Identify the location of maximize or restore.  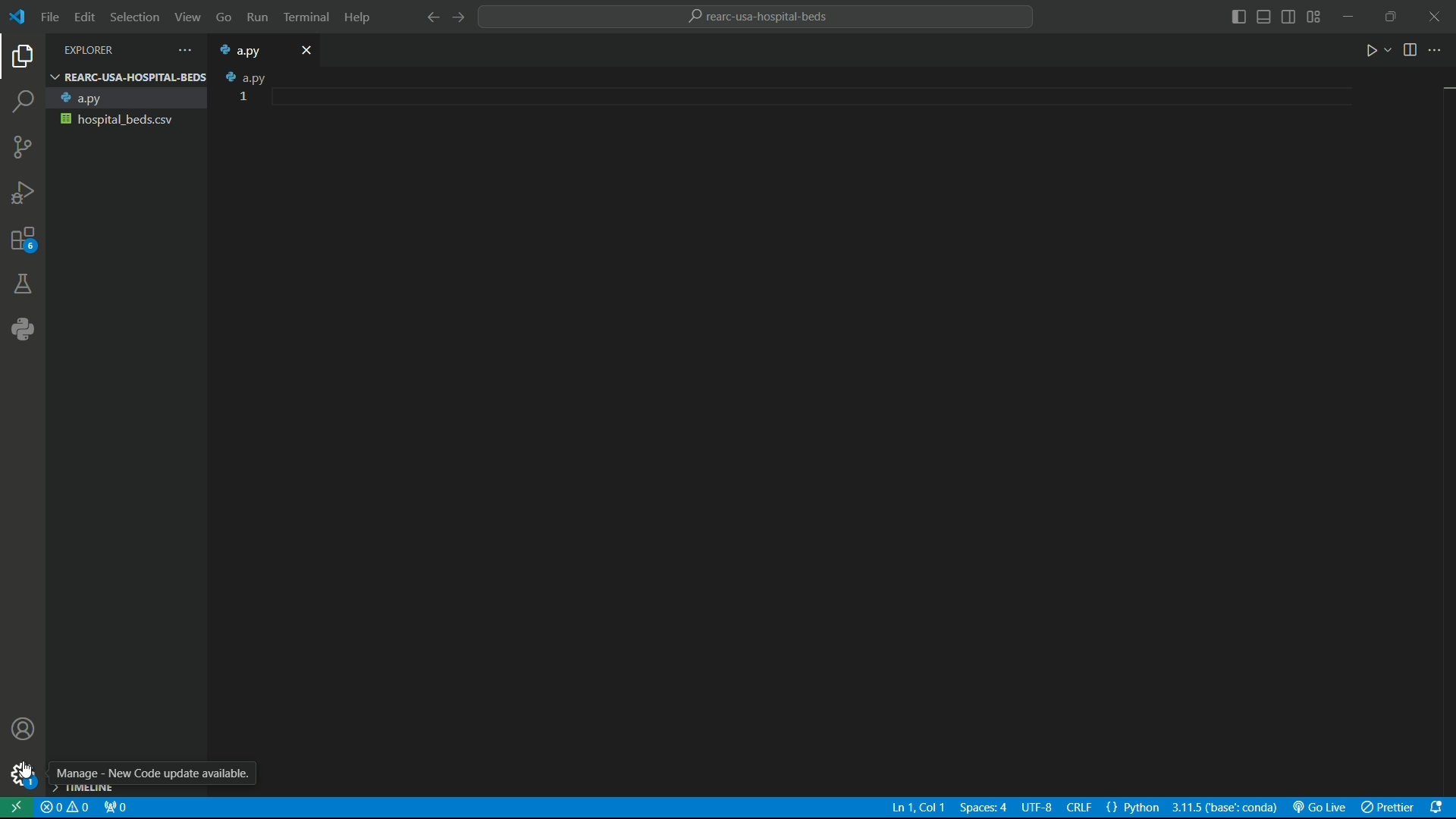
(1390, 15).